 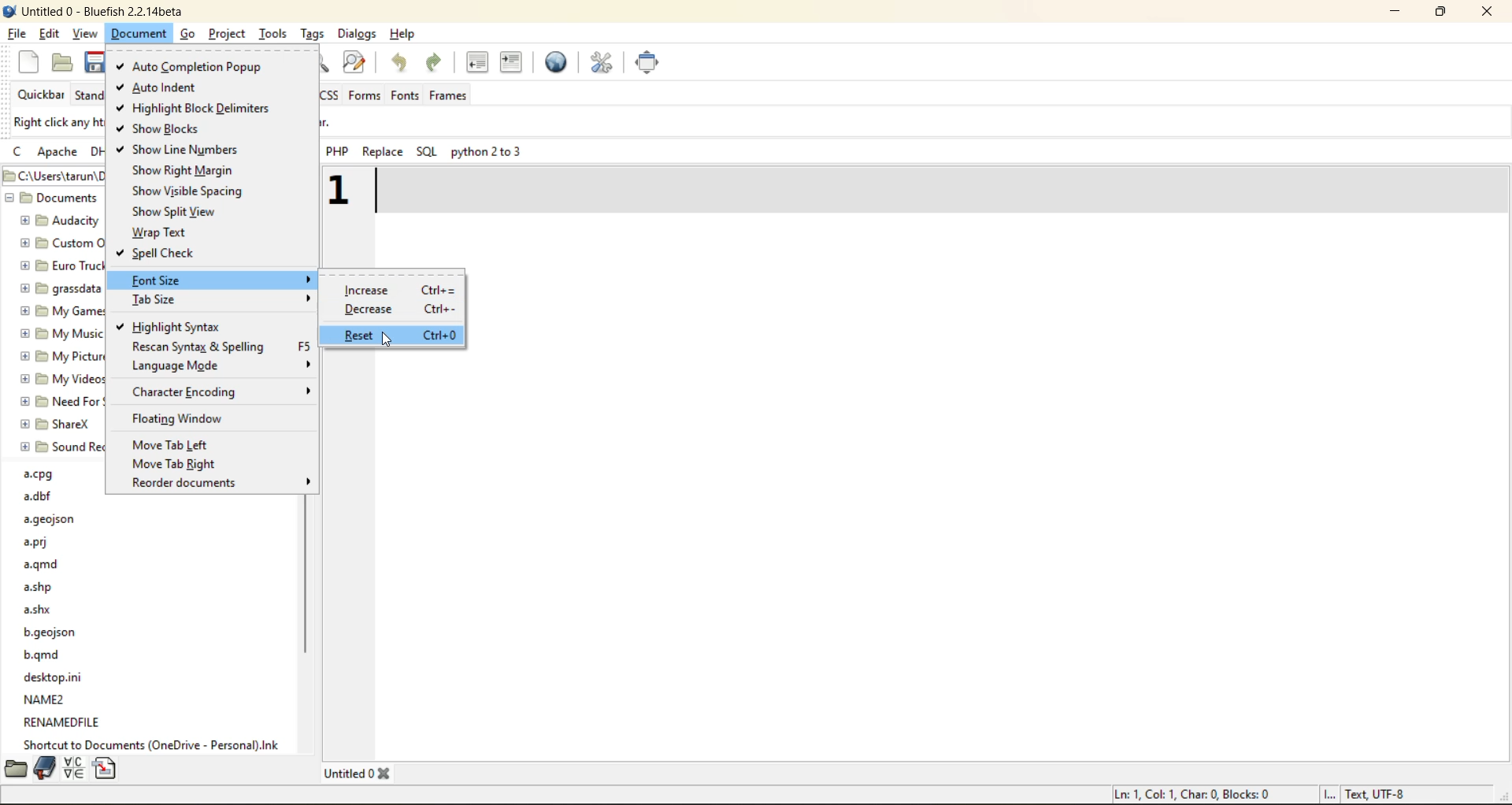 What do you see at coordinates (177, 325) in the screenshot?
I see `highlight syntax` at bounding box center [177, 325].